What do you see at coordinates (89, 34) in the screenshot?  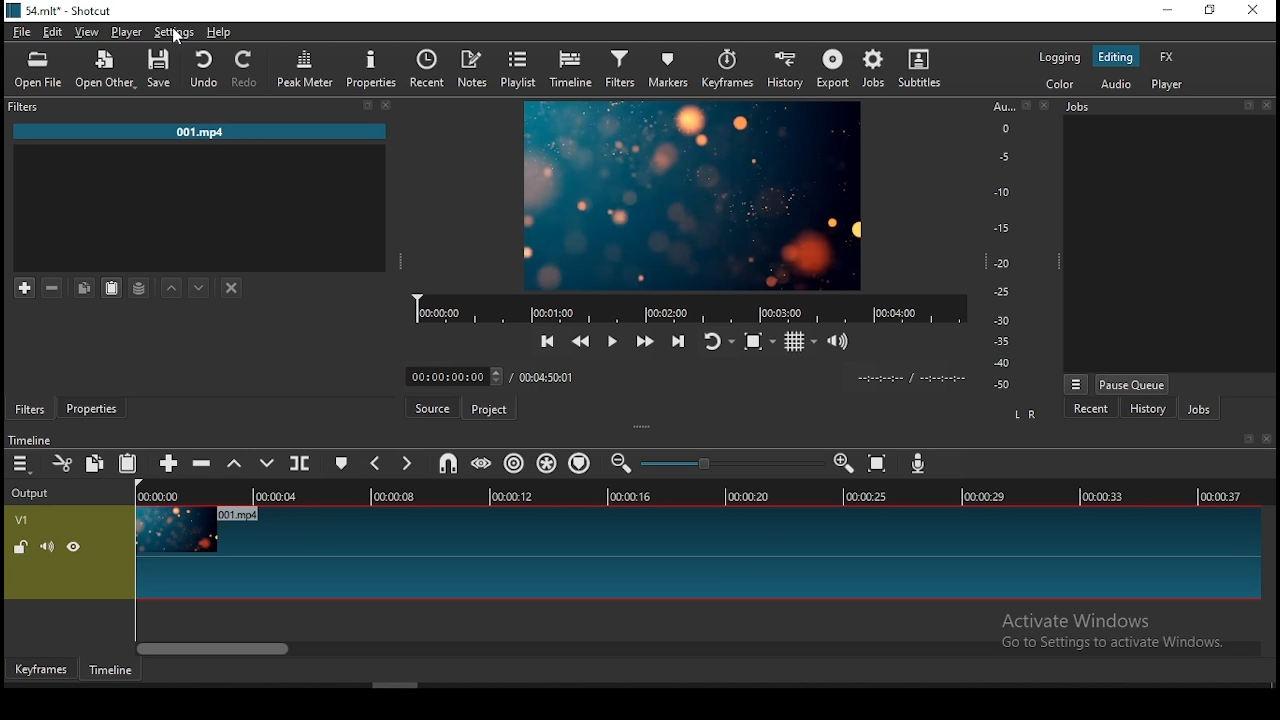 I see `view` at bounding box center [89, 34].